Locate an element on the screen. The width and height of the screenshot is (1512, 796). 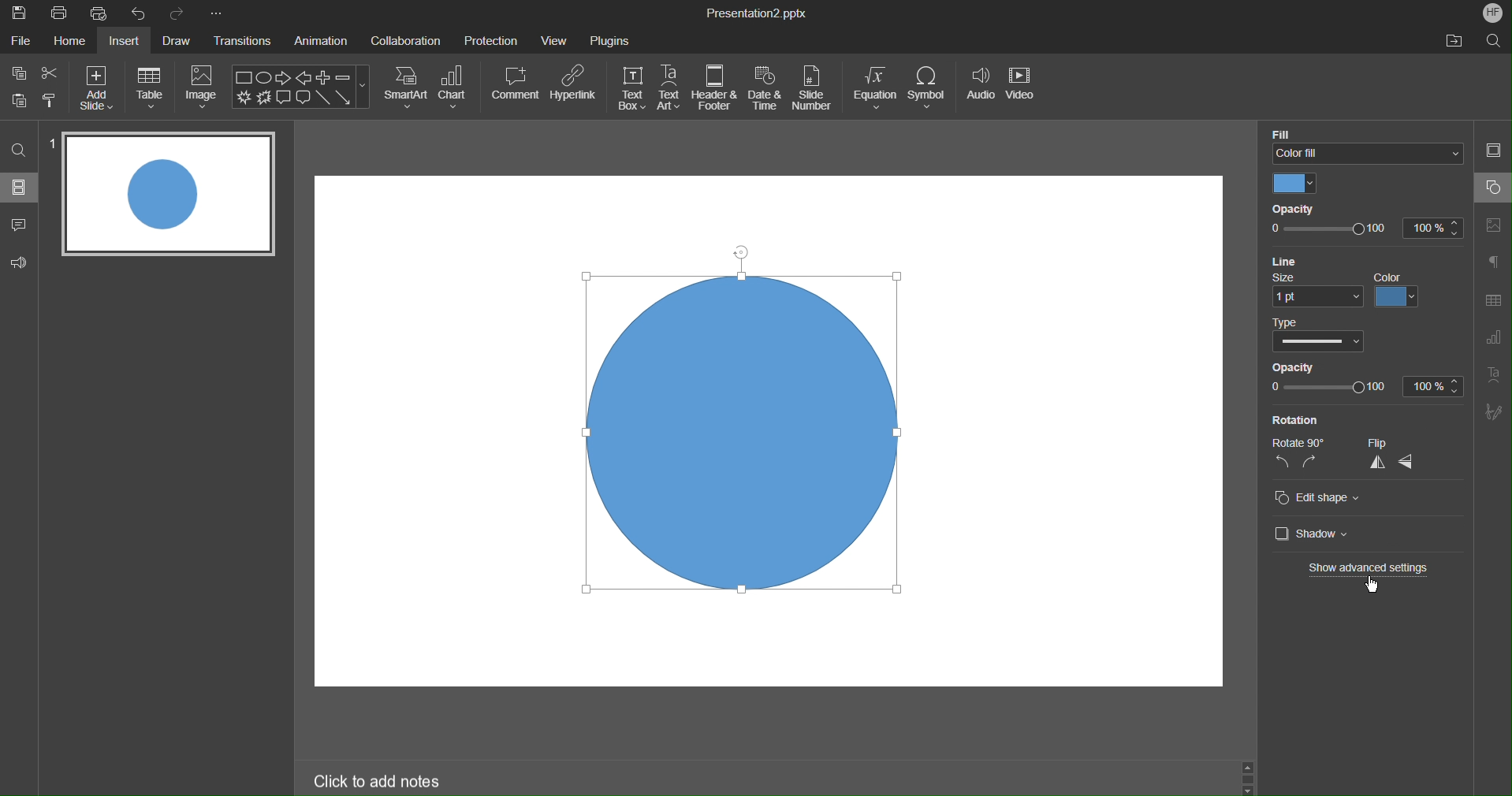
SmartArt is located at coordinates (406, 87).